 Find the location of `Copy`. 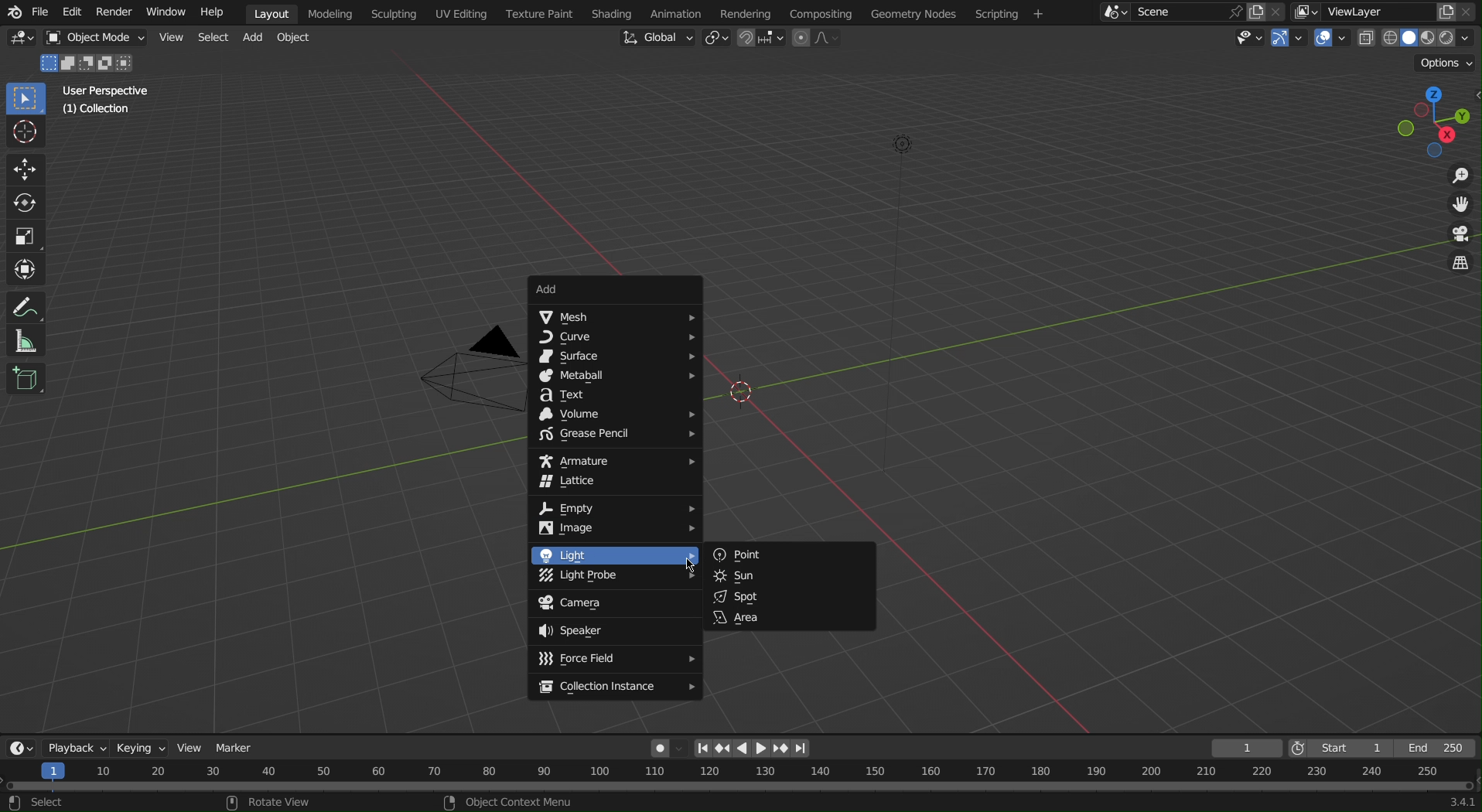

Copy is located at coordinates (1446, 10).